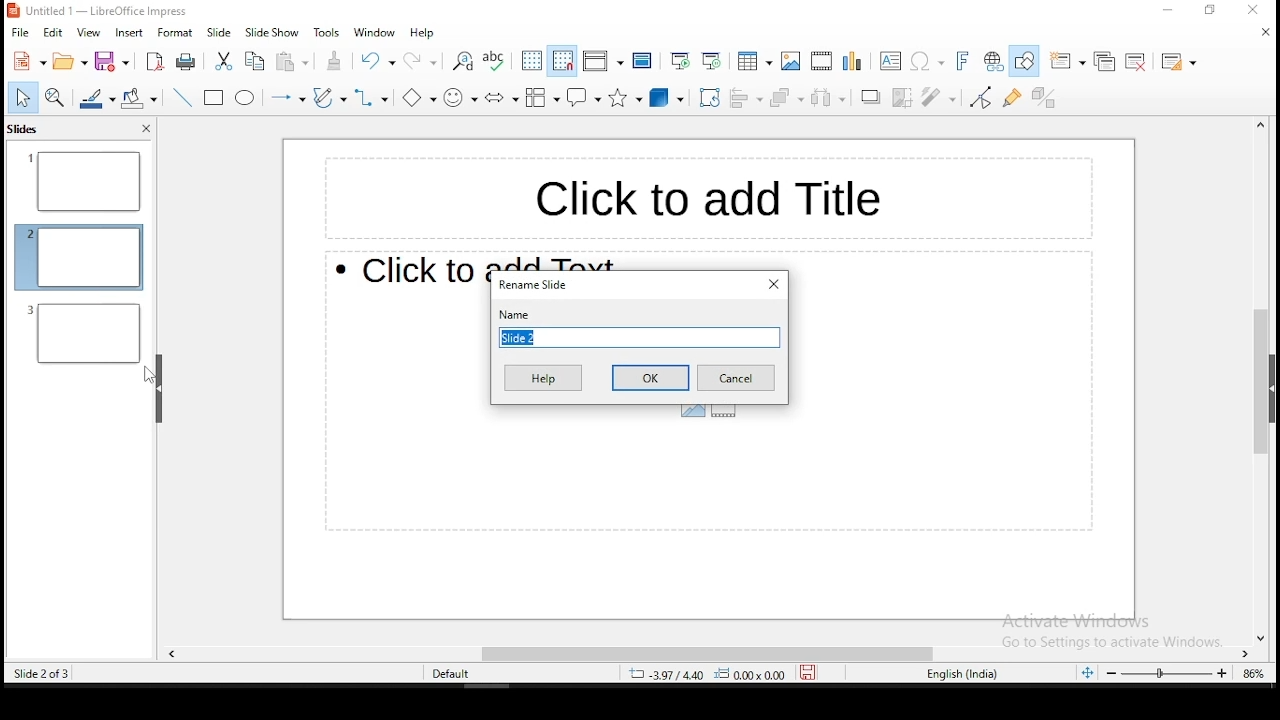 Image resolution: width=1280 pixels, height=720 pixels. Describe the element at coordinates (792, 61) in the screenshot. I see `insert image` at that location.